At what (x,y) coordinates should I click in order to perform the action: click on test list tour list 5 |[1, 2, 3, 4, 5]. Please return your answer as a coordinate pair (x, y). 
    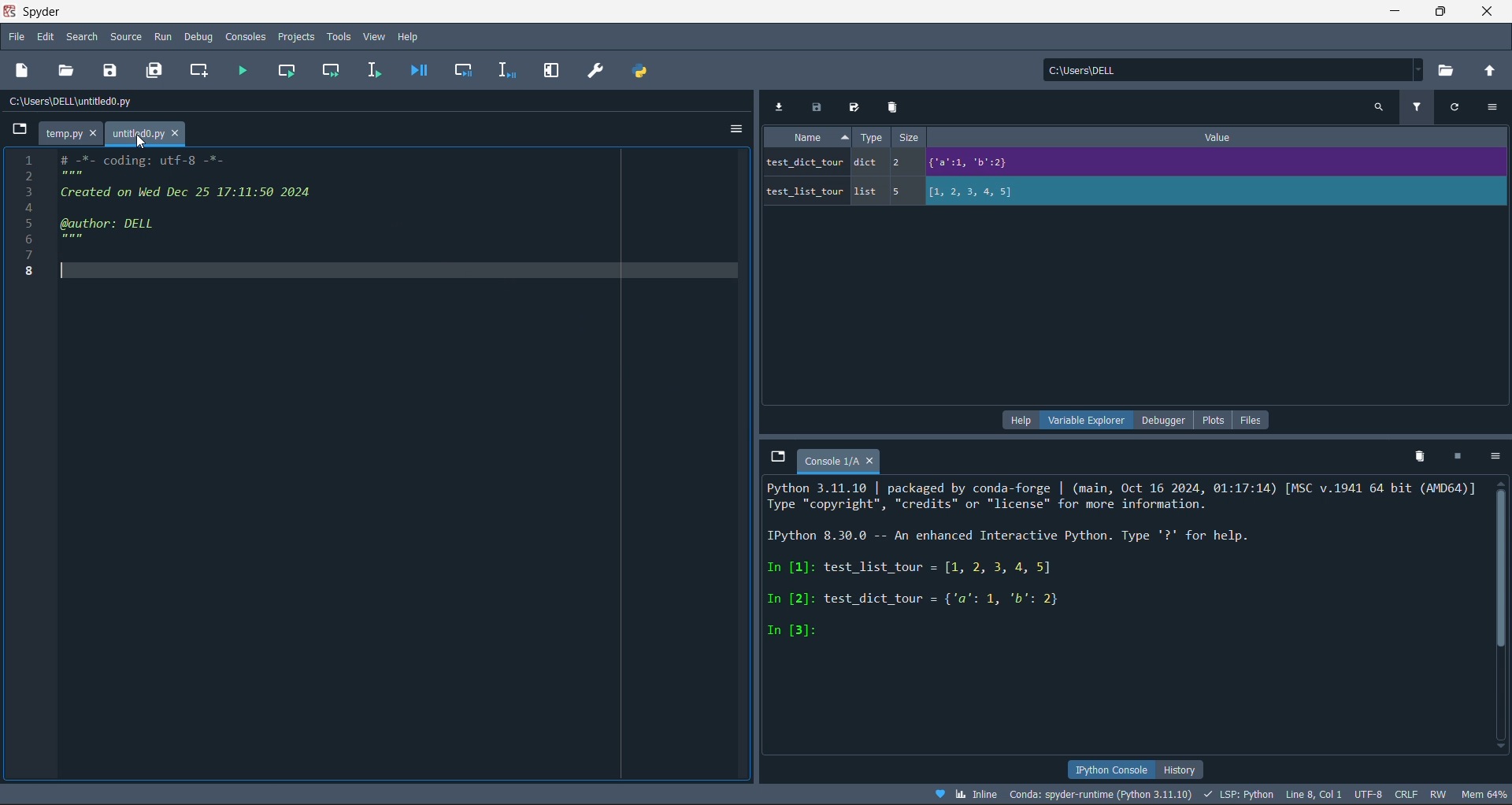
    Looking at the image, I should click on (1005, 195).